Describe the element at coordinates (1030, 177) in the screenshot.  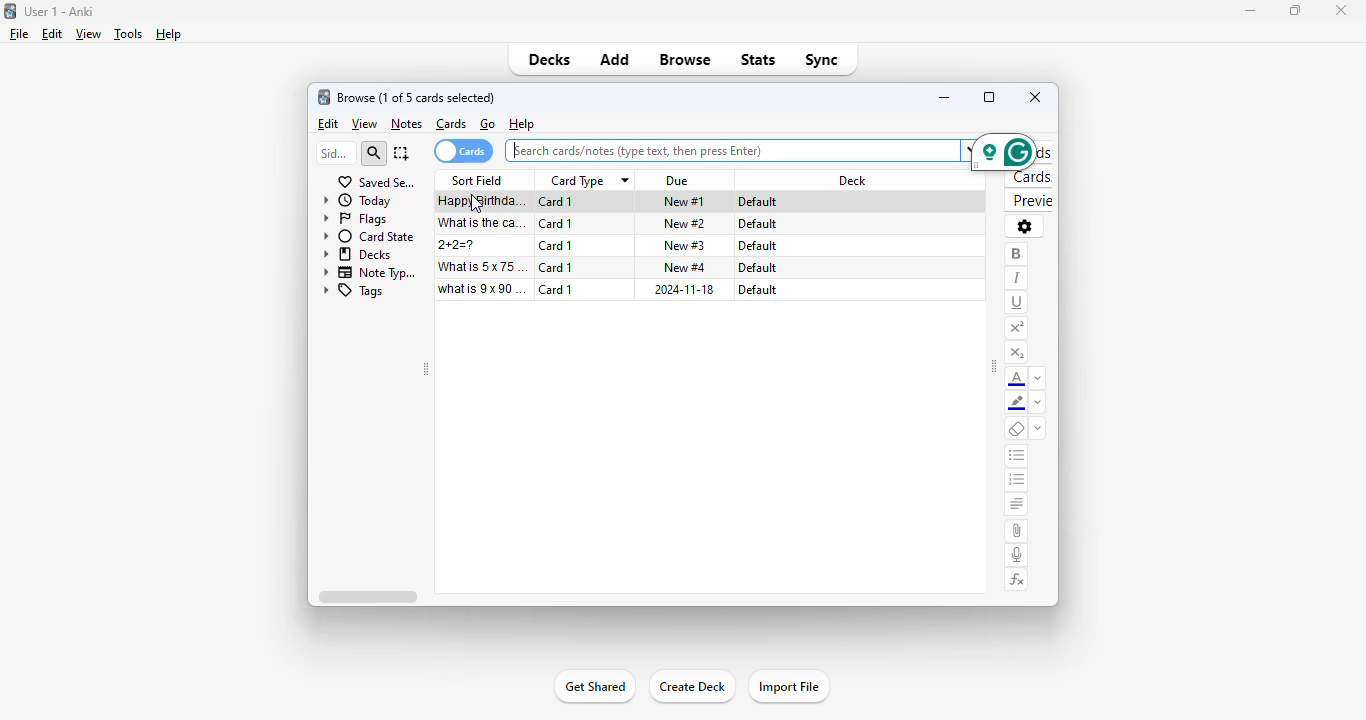
I see `cards` at that location.